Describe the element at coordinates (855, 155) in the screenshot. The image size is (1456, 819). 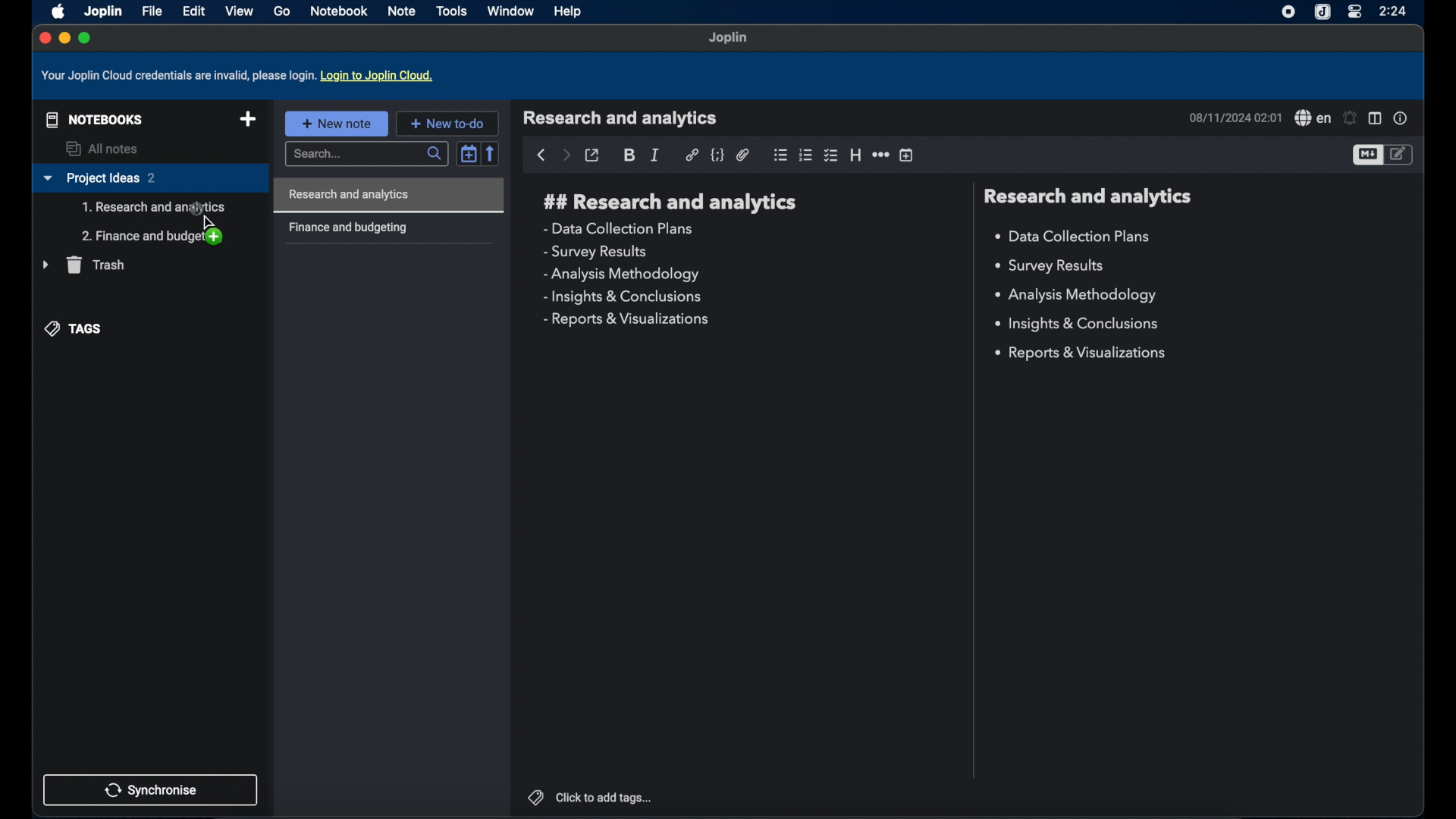
I see `heading` at that location.